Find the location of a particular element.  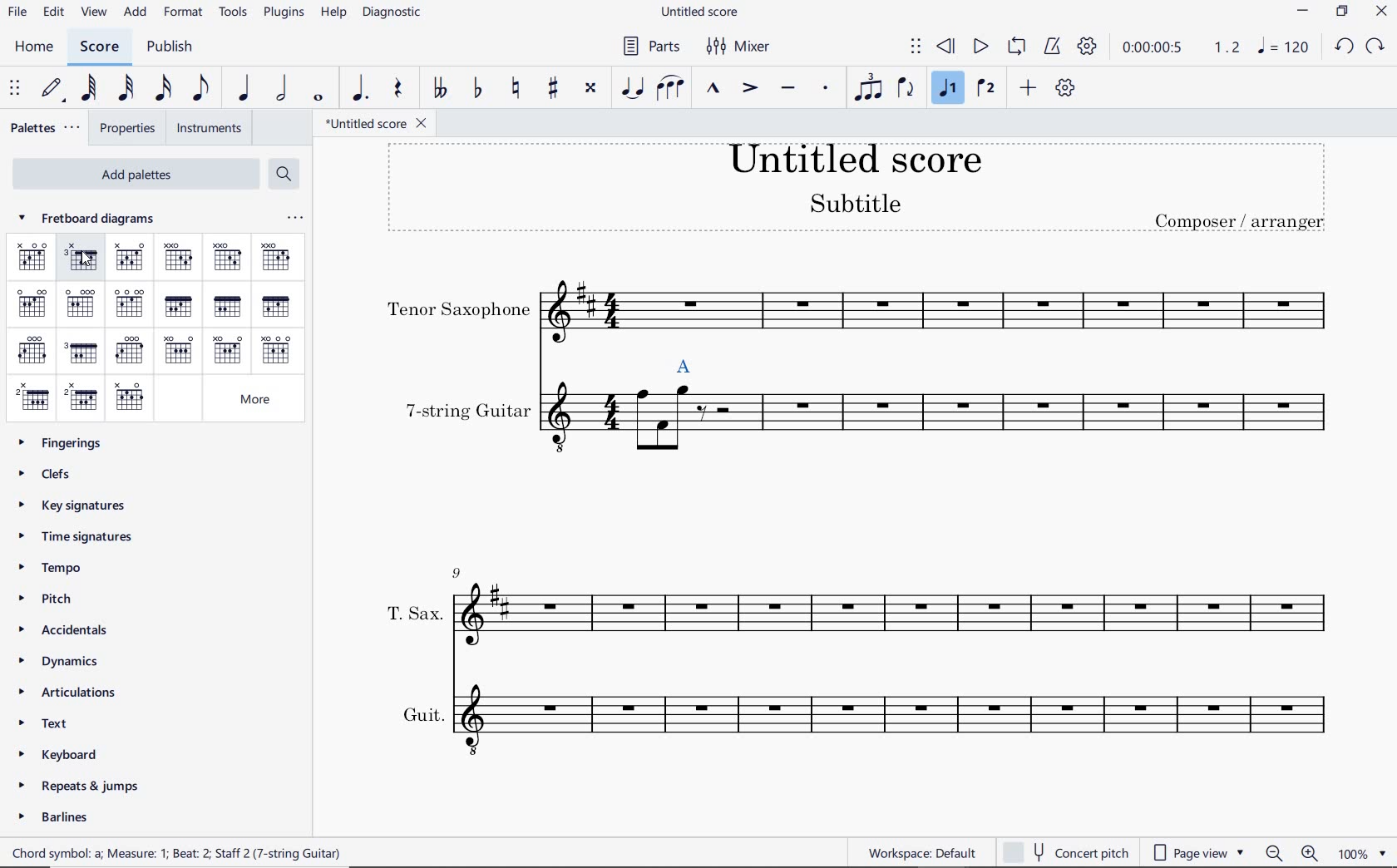

ACCENT is located at coordinates (751, 88).